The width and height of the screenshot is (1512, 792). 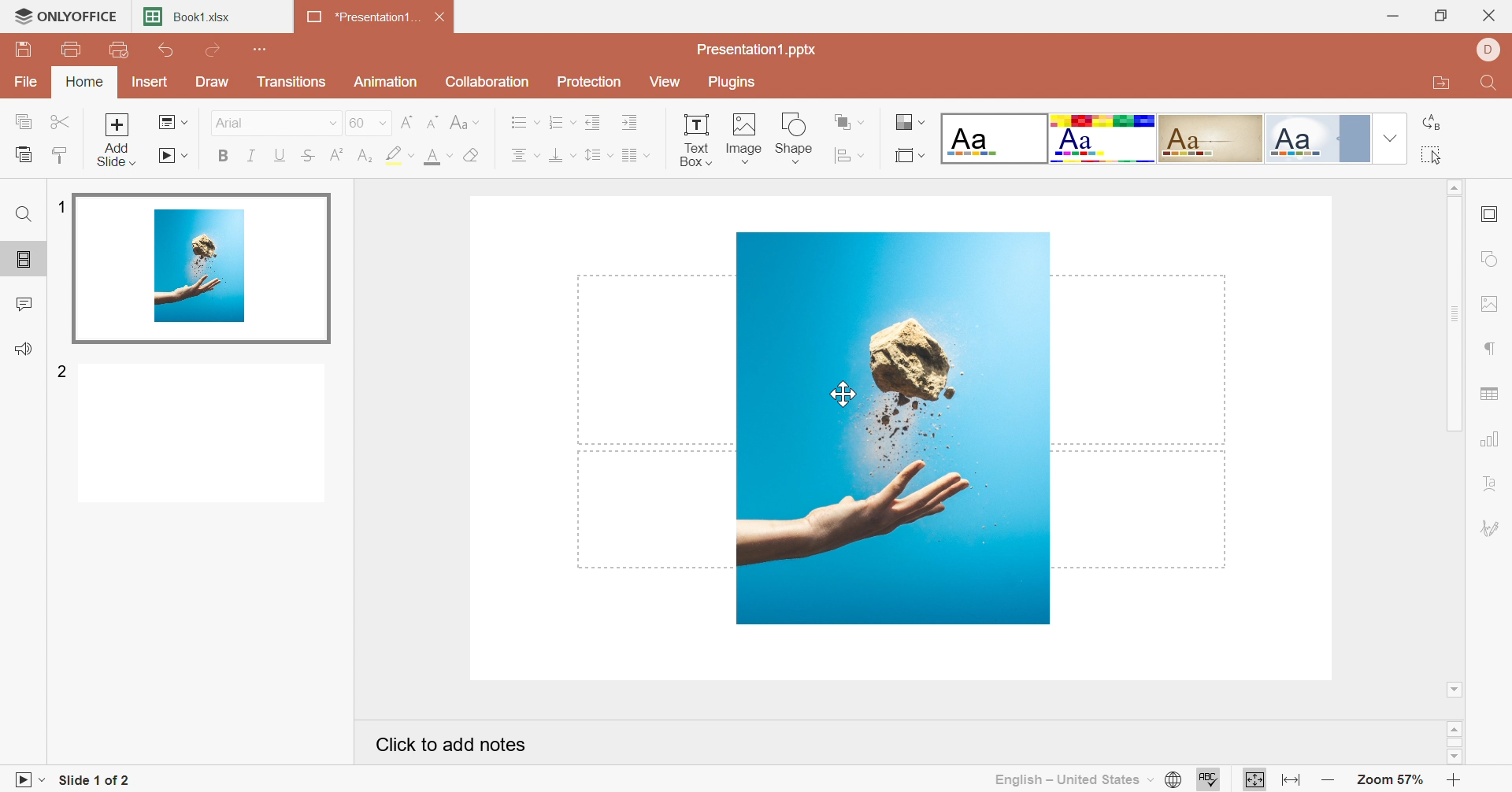 I want to click on paragraph settings, so click(x=1491, y=347).